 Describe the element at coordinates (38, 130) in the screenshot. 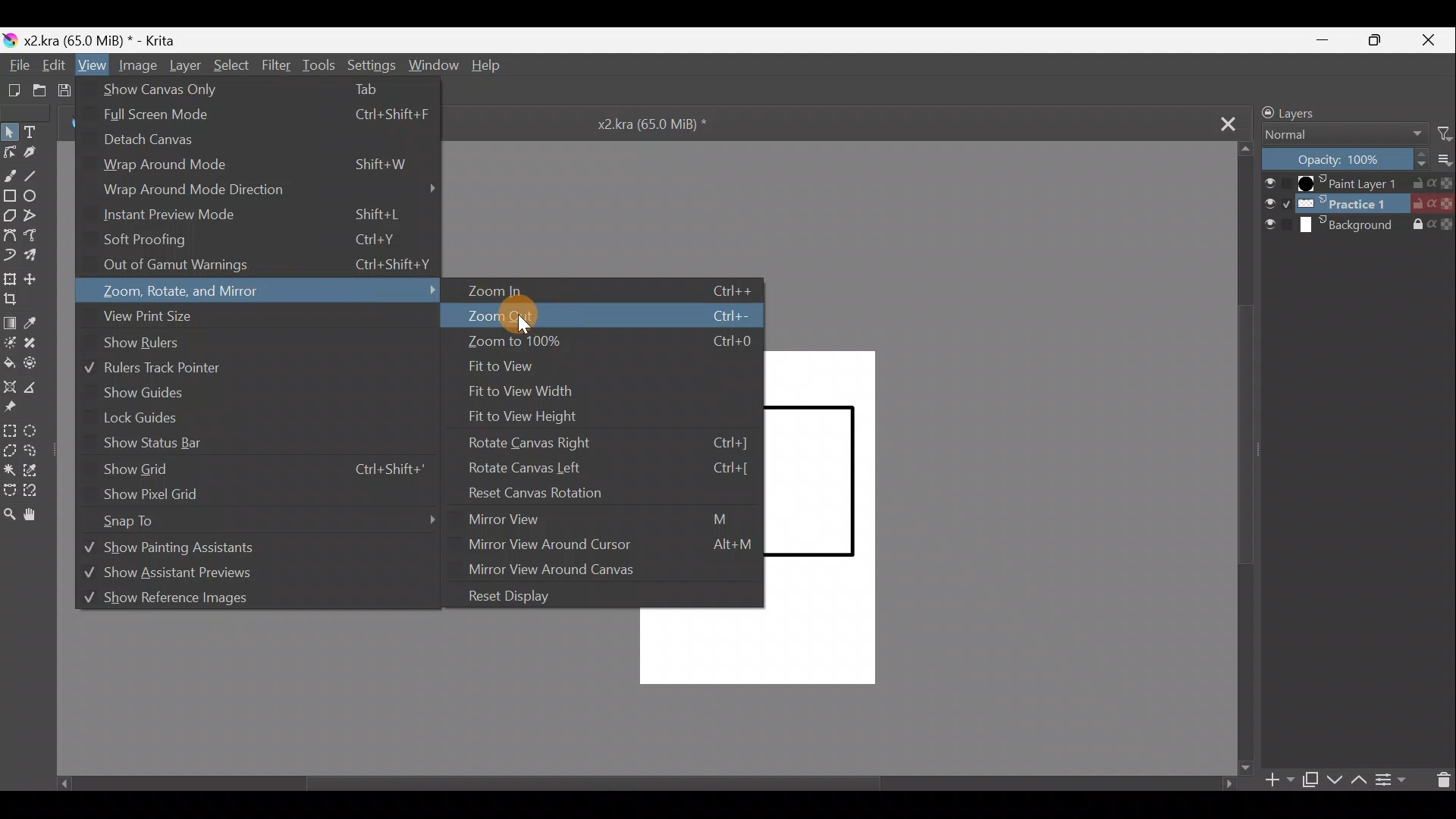

I see `Text tool` at that location.